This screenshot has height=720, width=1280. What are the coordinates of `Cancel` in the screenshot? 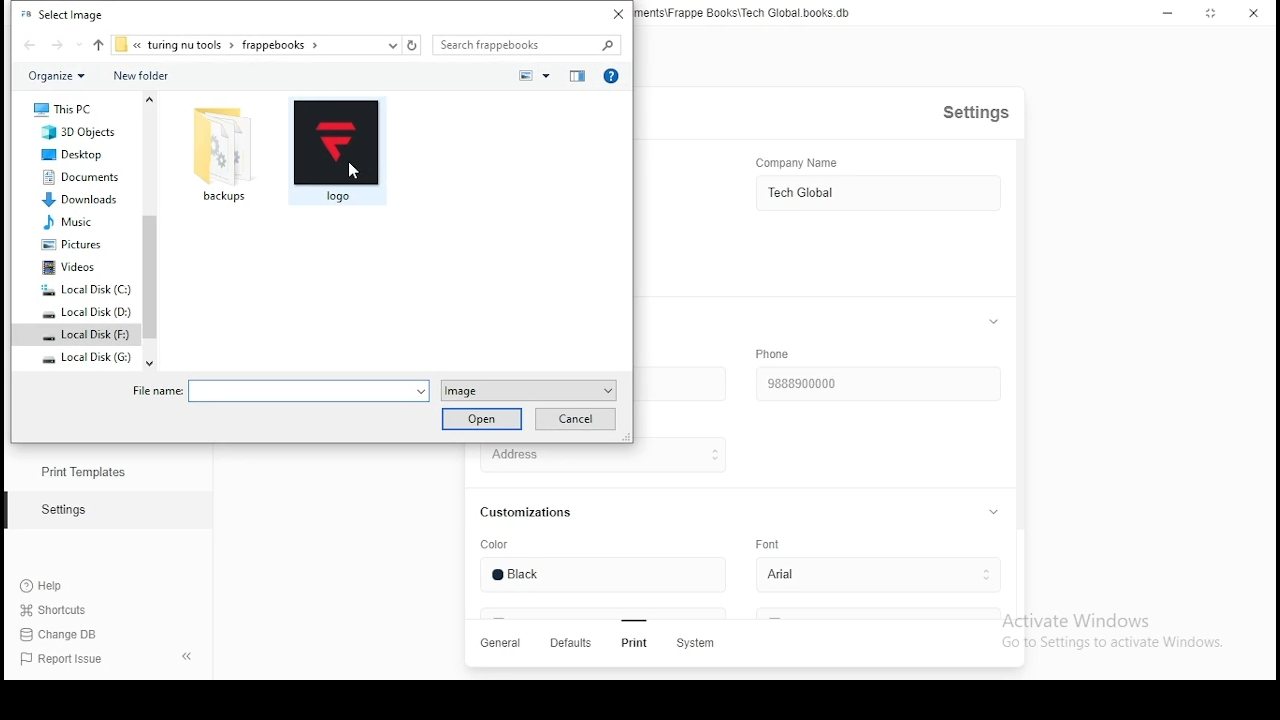 It's located at (576, 420).